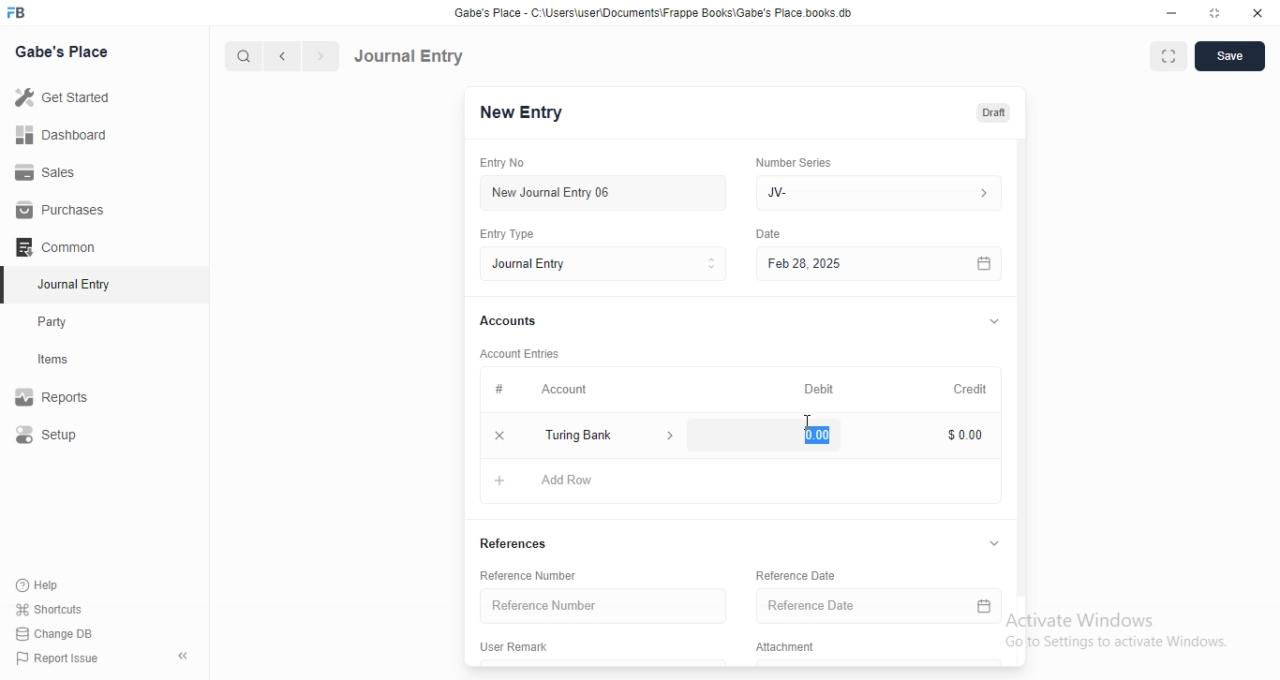 This screenshot has width=1280, height=680. I want to click on Reports, so click(65, 399).